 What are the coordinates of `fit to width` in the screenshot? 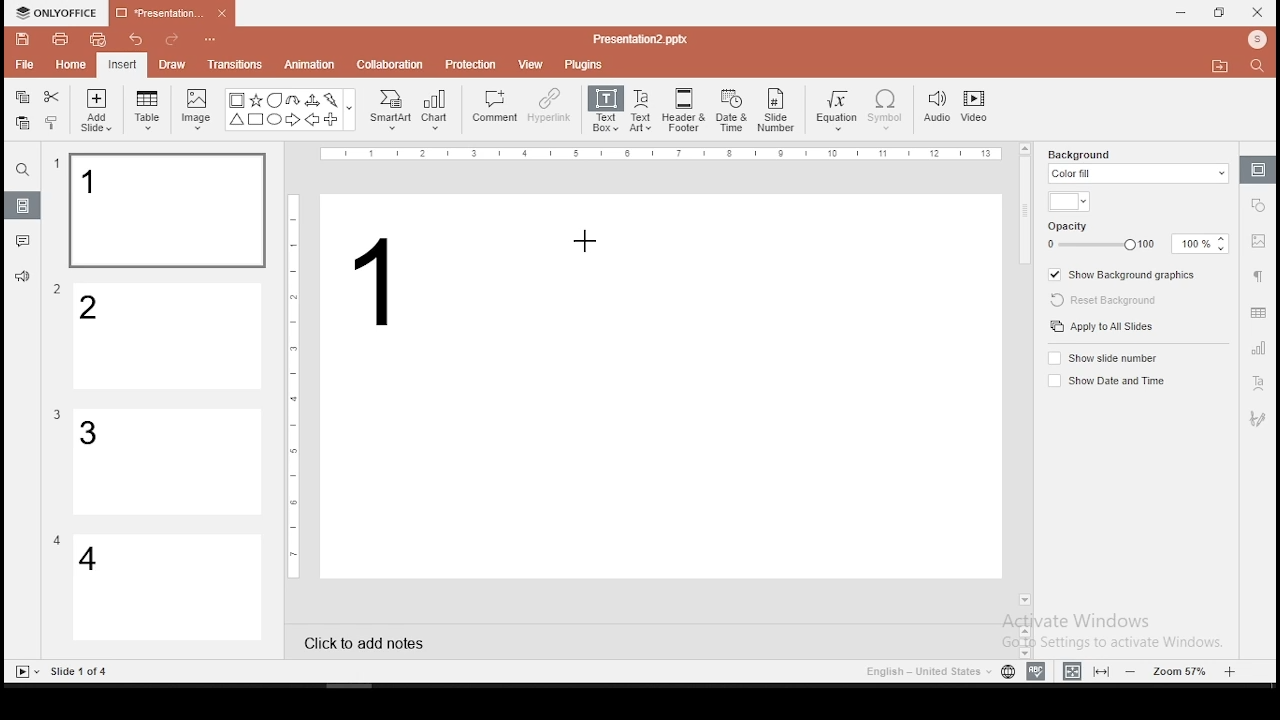 It's located at (1068, 670).